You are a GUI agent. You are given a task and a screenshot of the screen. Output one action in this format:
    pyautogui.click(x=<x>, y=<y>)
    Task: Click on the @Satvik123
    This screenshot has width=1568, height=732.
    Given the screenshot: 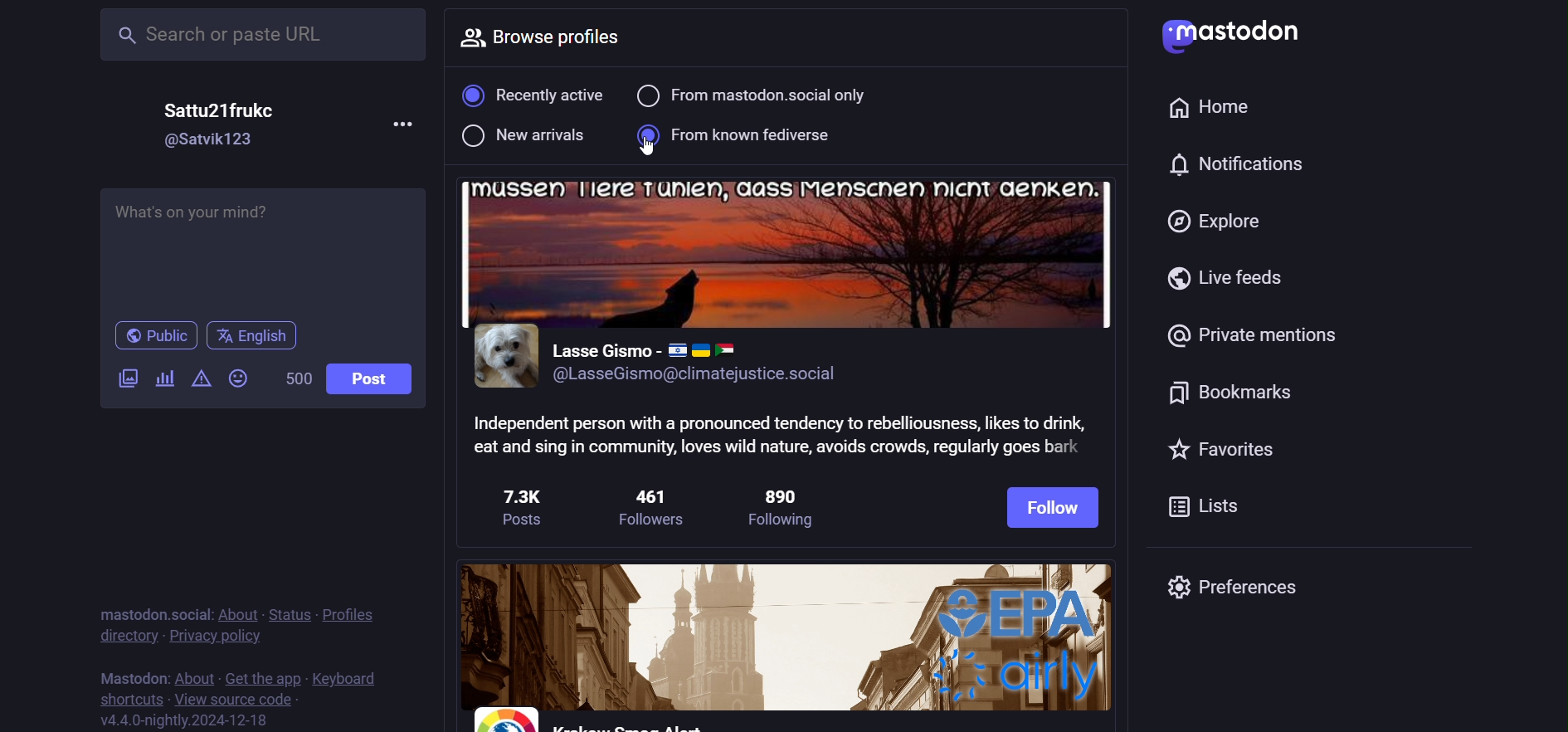 What is the action you would take?
    pyautogui.click(x=207, y=140)
    